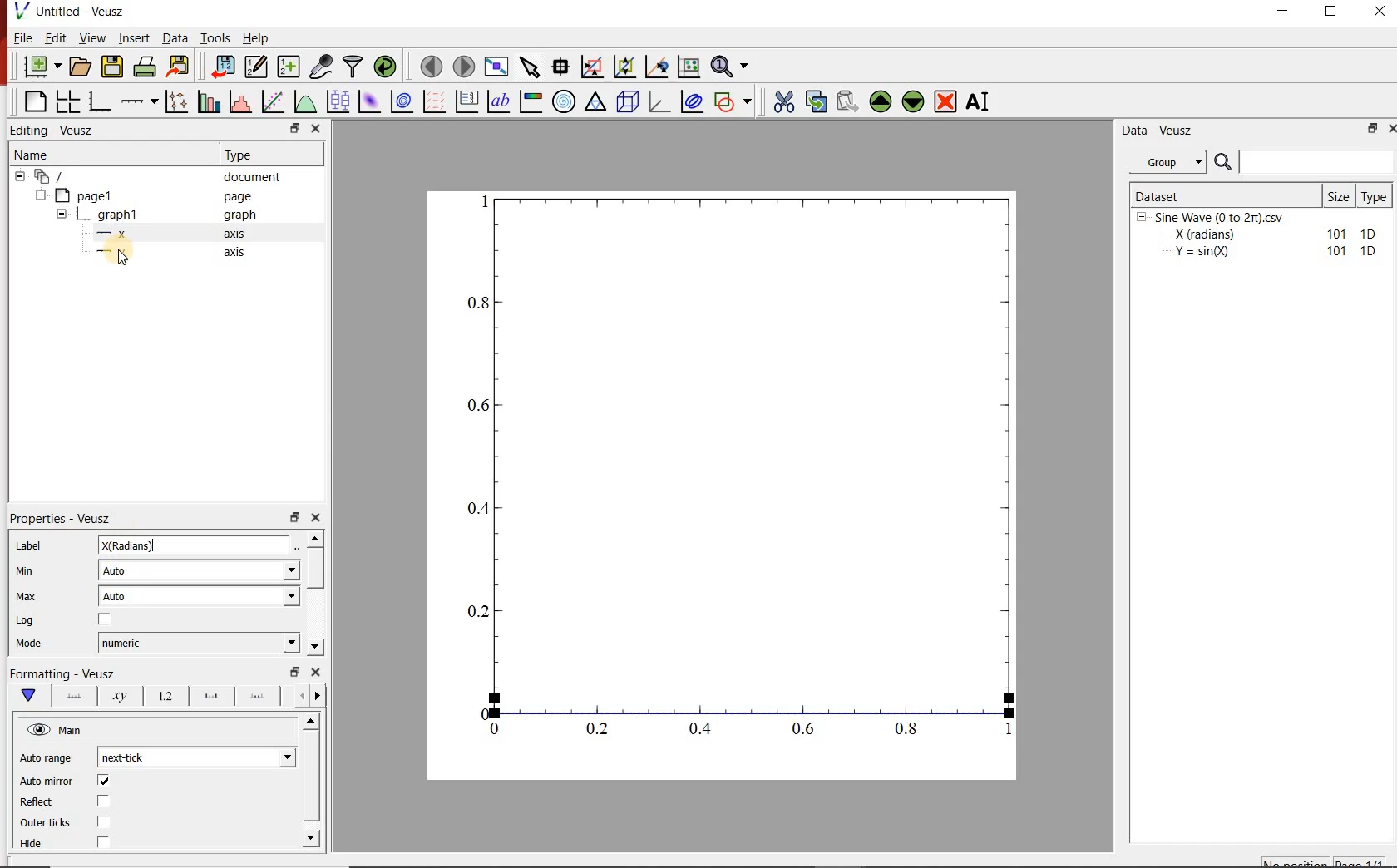 This screenshot has width=1397, height=868. I want to click on Formatting - Veusz, so click(62, 672).